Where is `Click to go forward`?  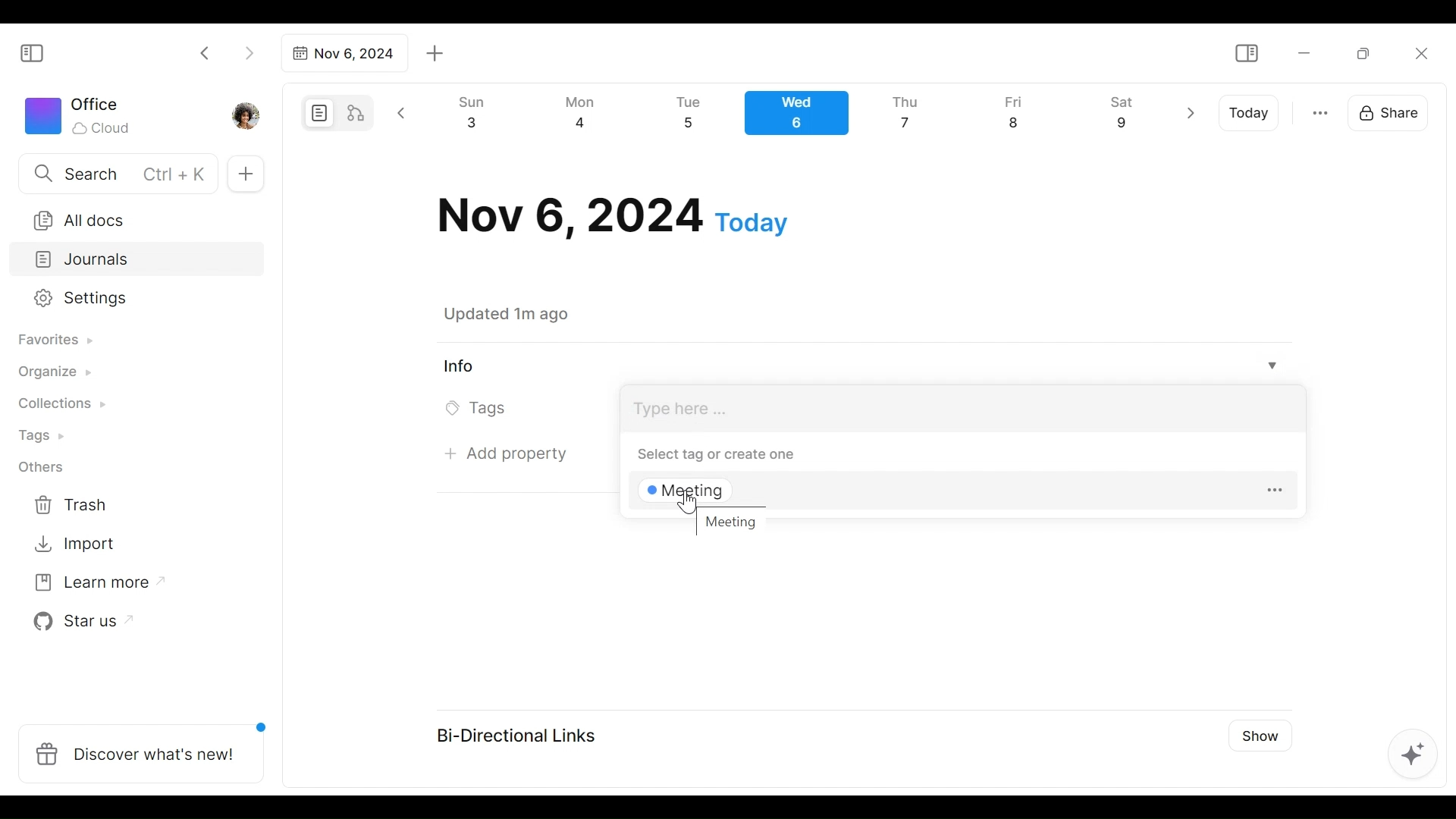 Click to go forward is located at coordinates (249, 52).